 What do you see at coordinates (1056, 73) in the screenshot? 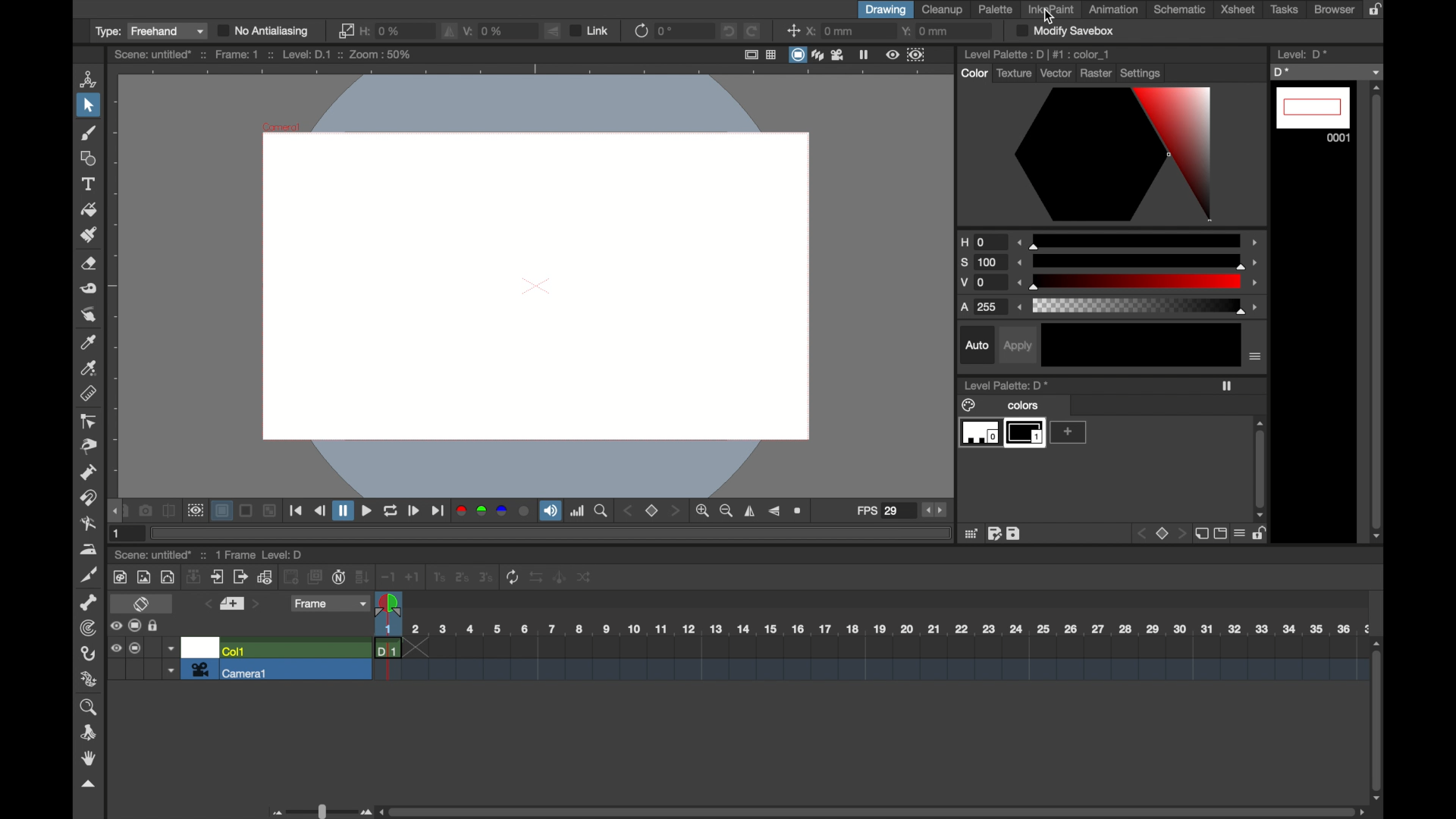
I see `vector` at bounding box center [1056, 73].